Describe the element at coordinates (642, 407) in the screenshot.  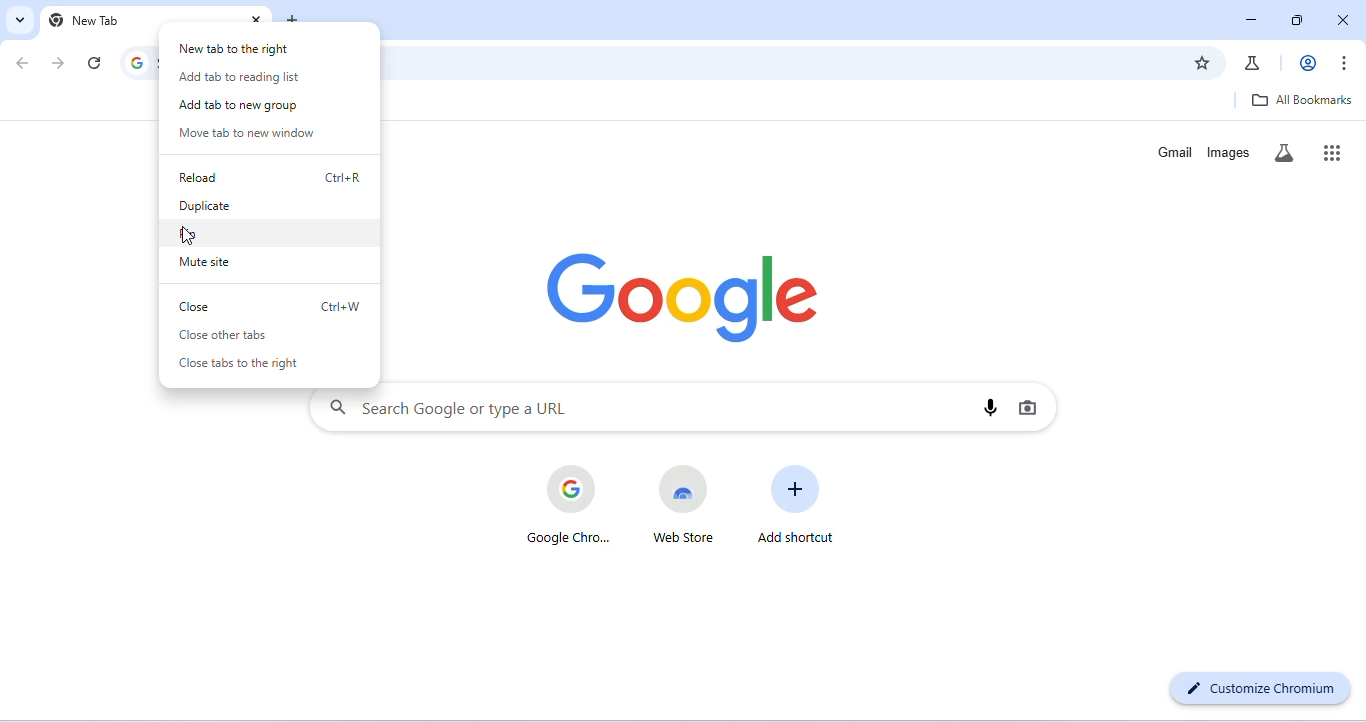
I see `search google or type a URL` at that location.